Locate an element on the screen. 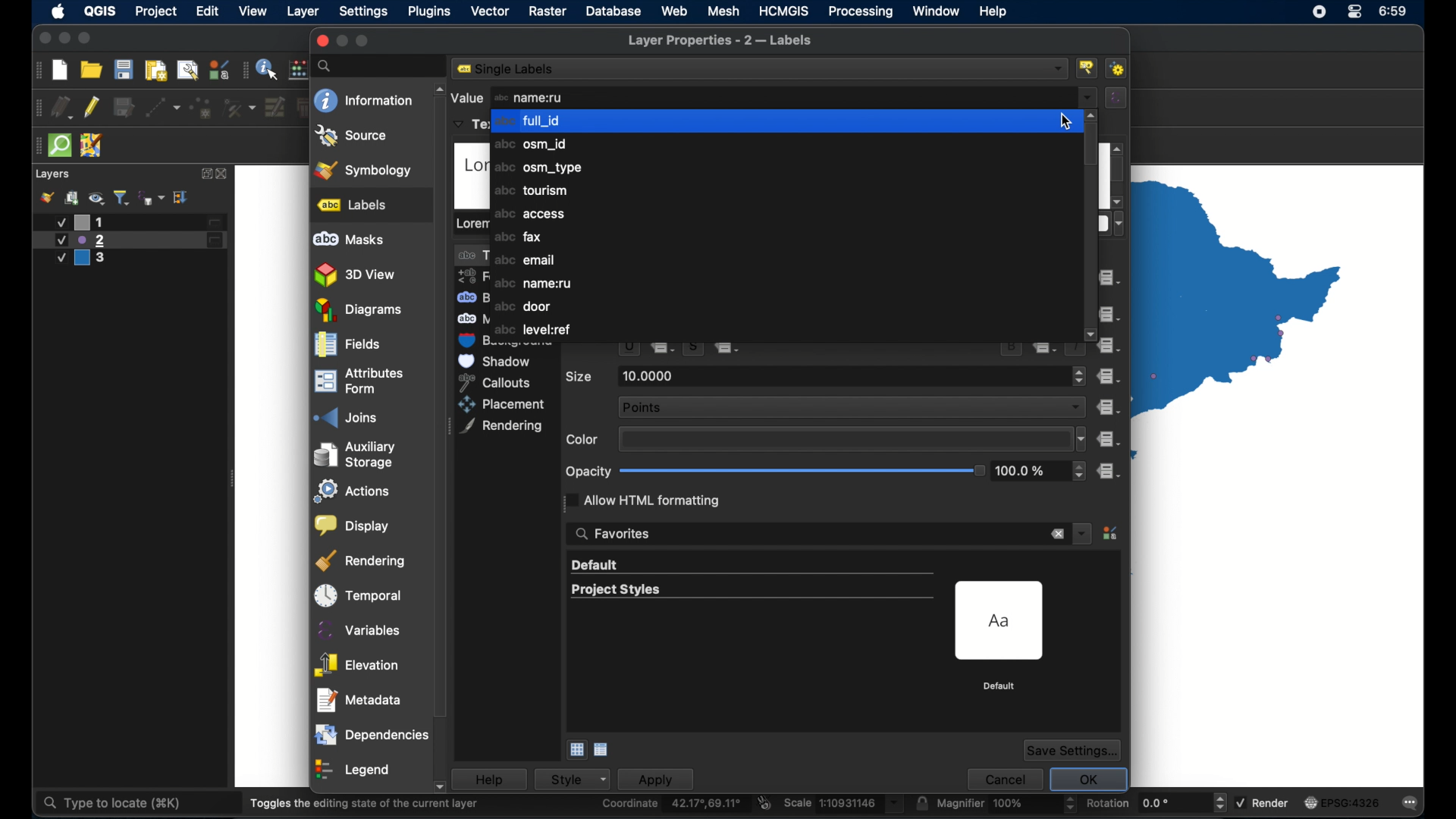  color is located at coordinates (583, 440).